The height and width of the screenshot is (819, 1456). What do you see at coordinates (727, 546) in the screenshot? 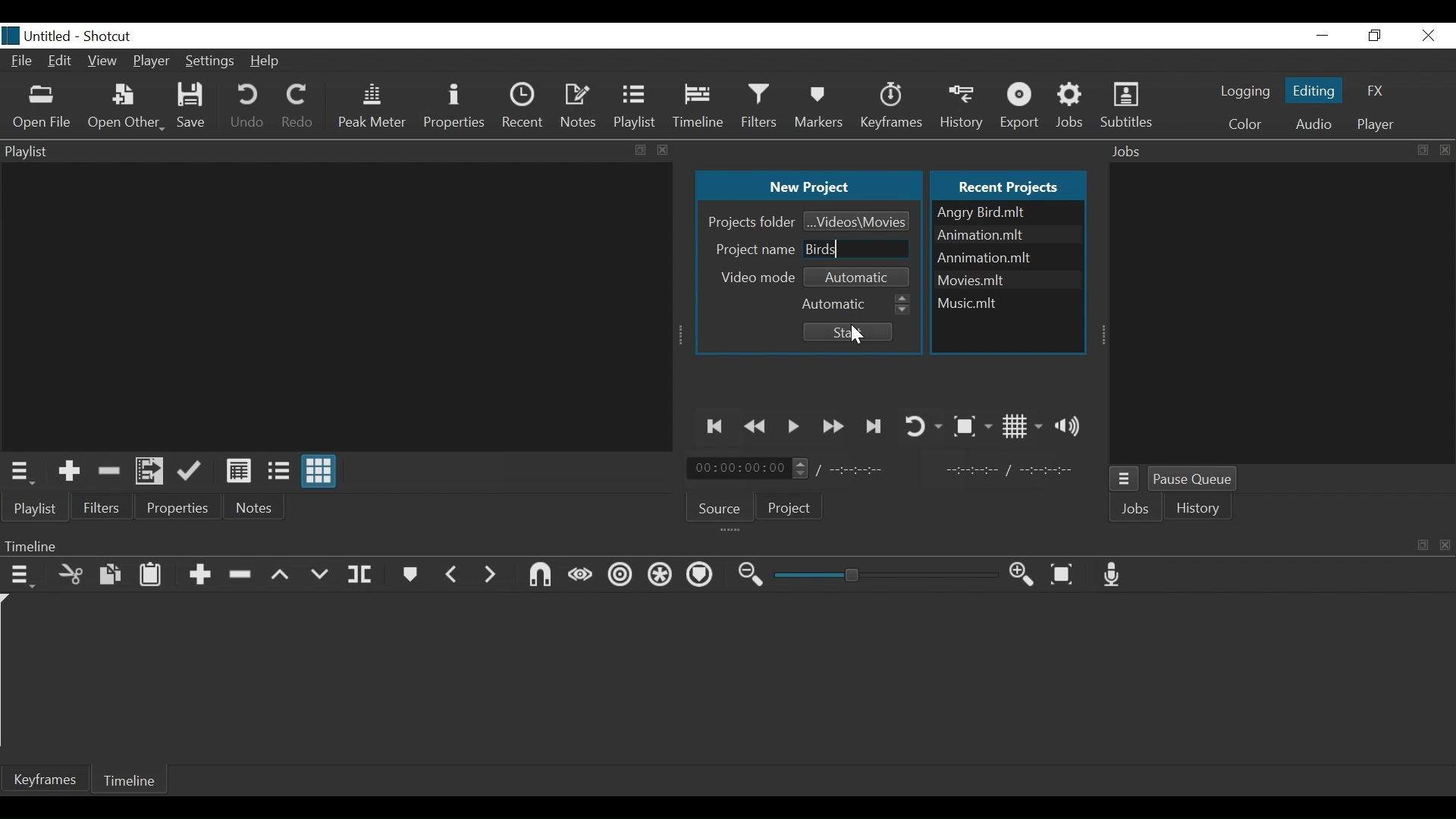
I see `Timeline Panel` at bounding box center [727, 546].